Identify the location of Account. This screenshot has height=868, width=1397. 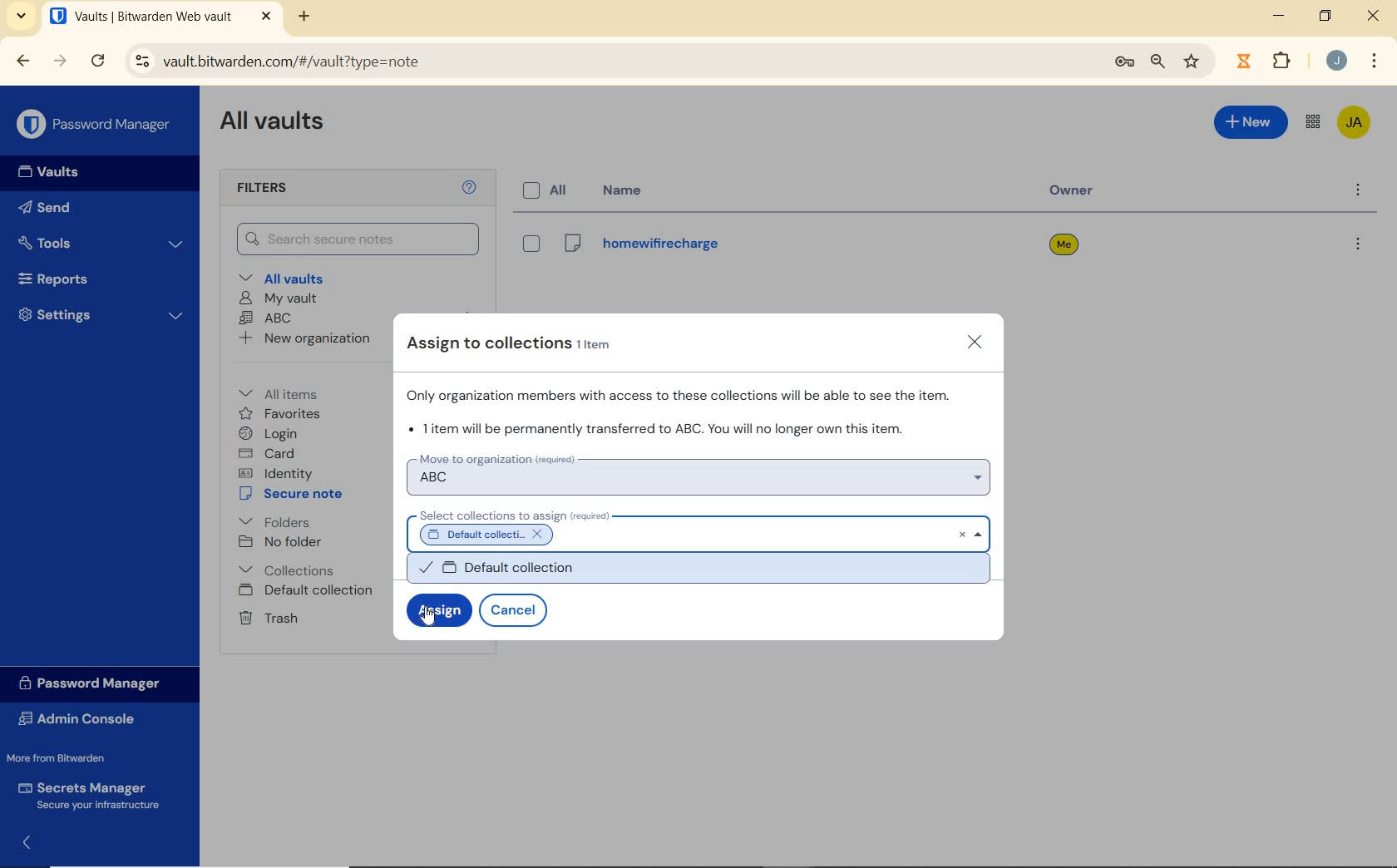
(1335, 60).